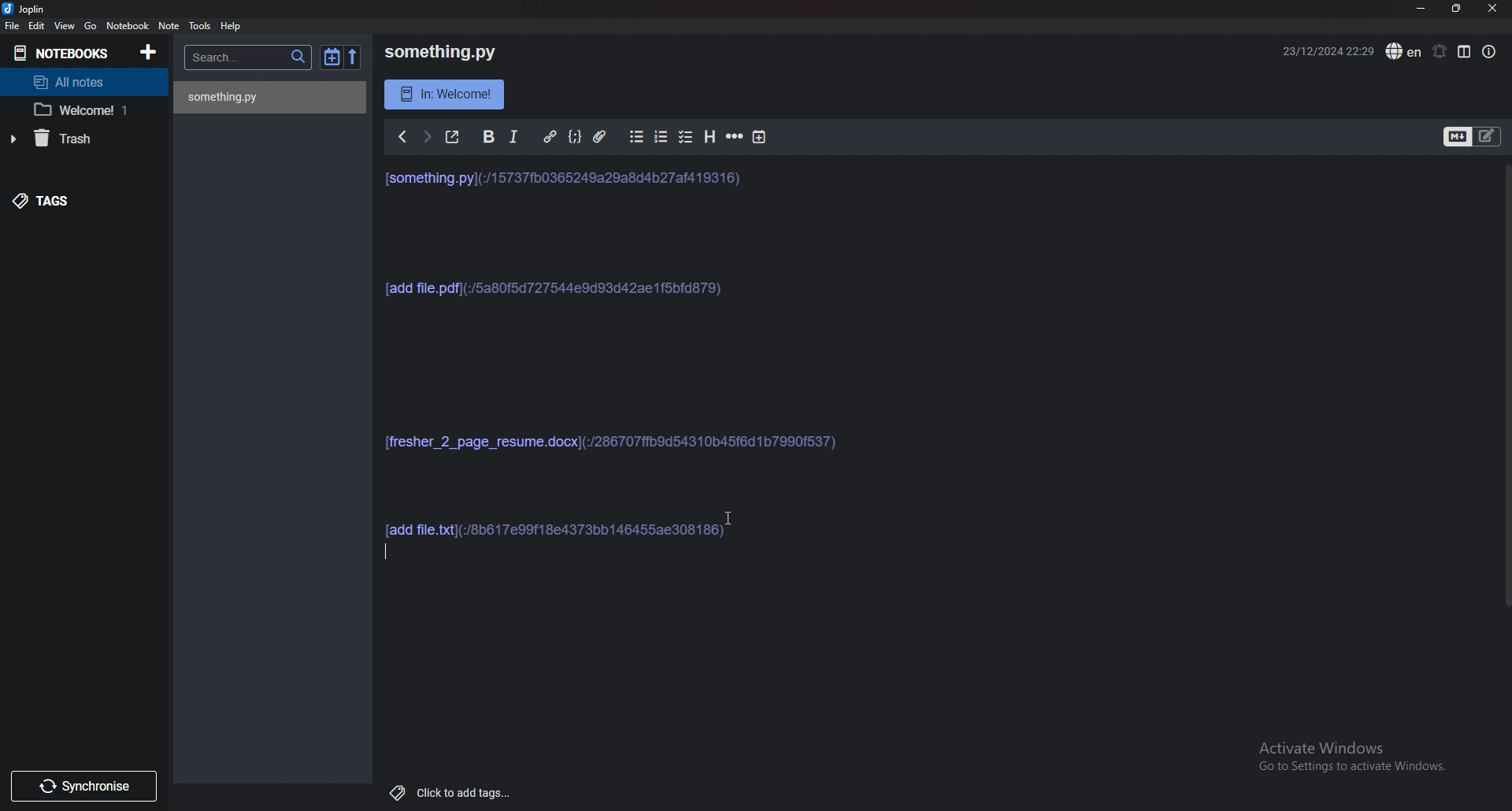 This screenshot has width=1512, height=811. I want to click on Minimize, so click(1423, 9).